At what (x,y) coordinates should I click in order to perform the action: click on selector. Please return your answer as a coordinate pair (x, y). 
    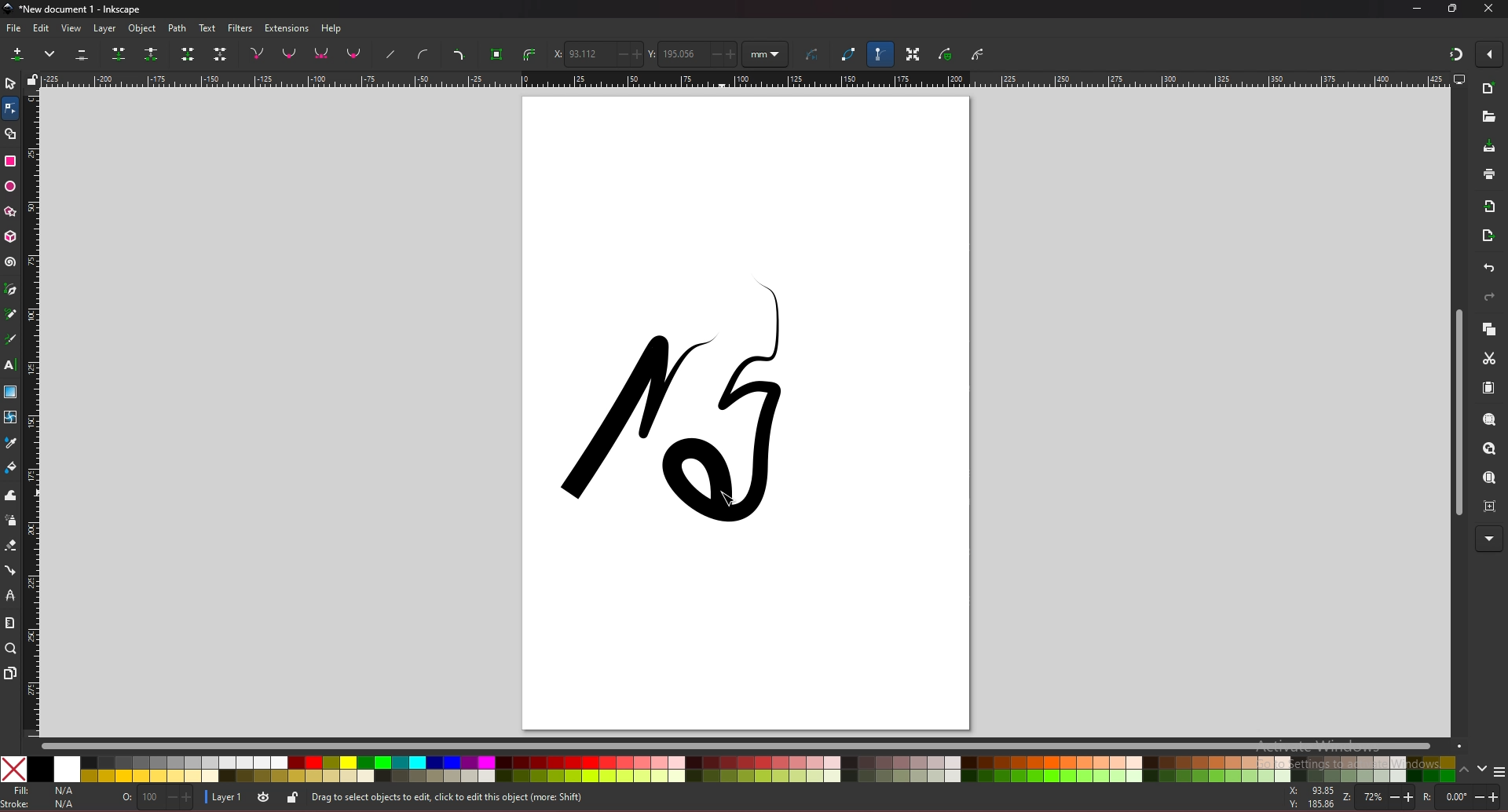
    Looking at the image, I should click on (10, 83).